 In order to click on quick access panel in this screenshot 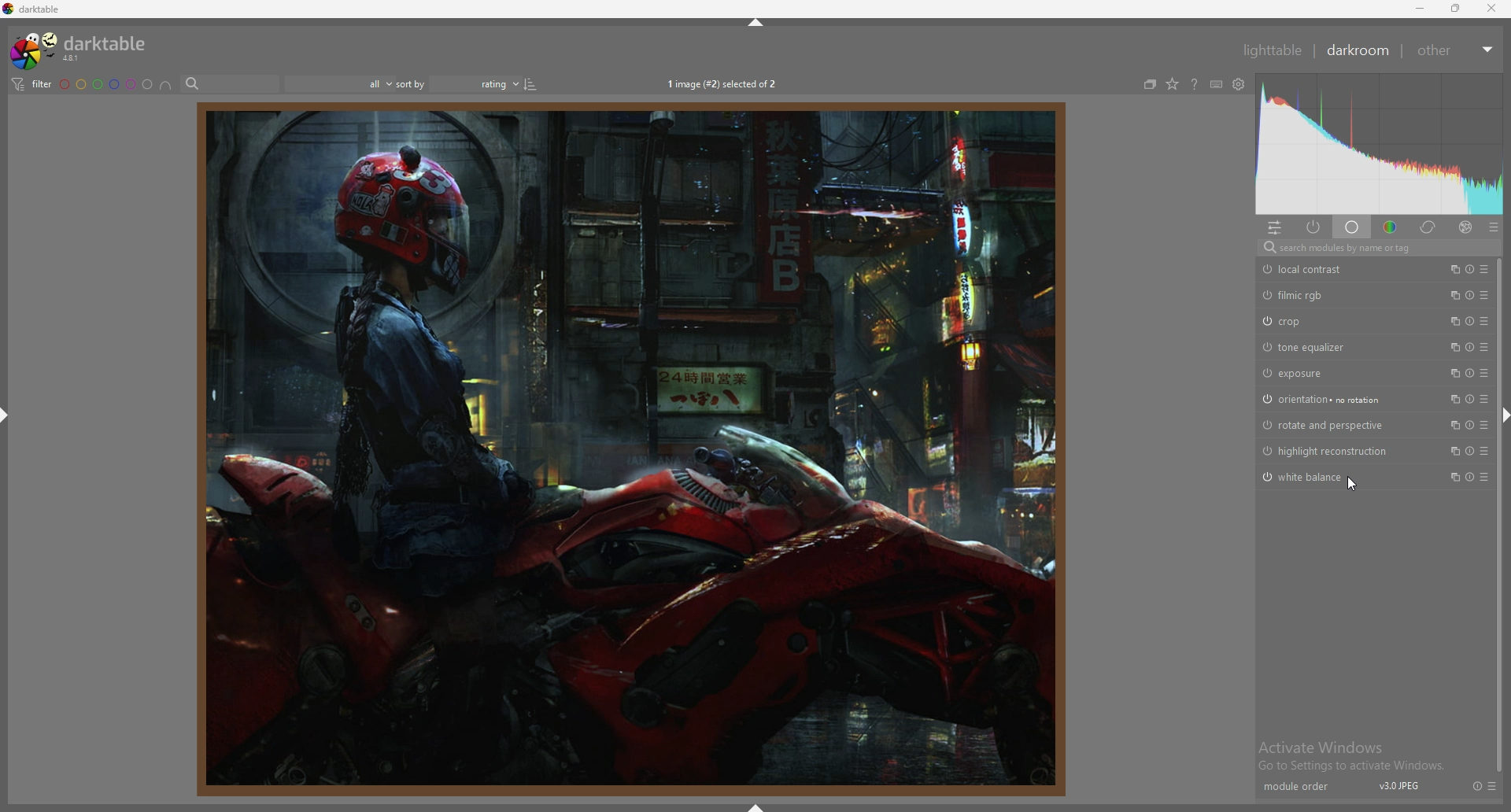, I will do `click(1274, 227)`.